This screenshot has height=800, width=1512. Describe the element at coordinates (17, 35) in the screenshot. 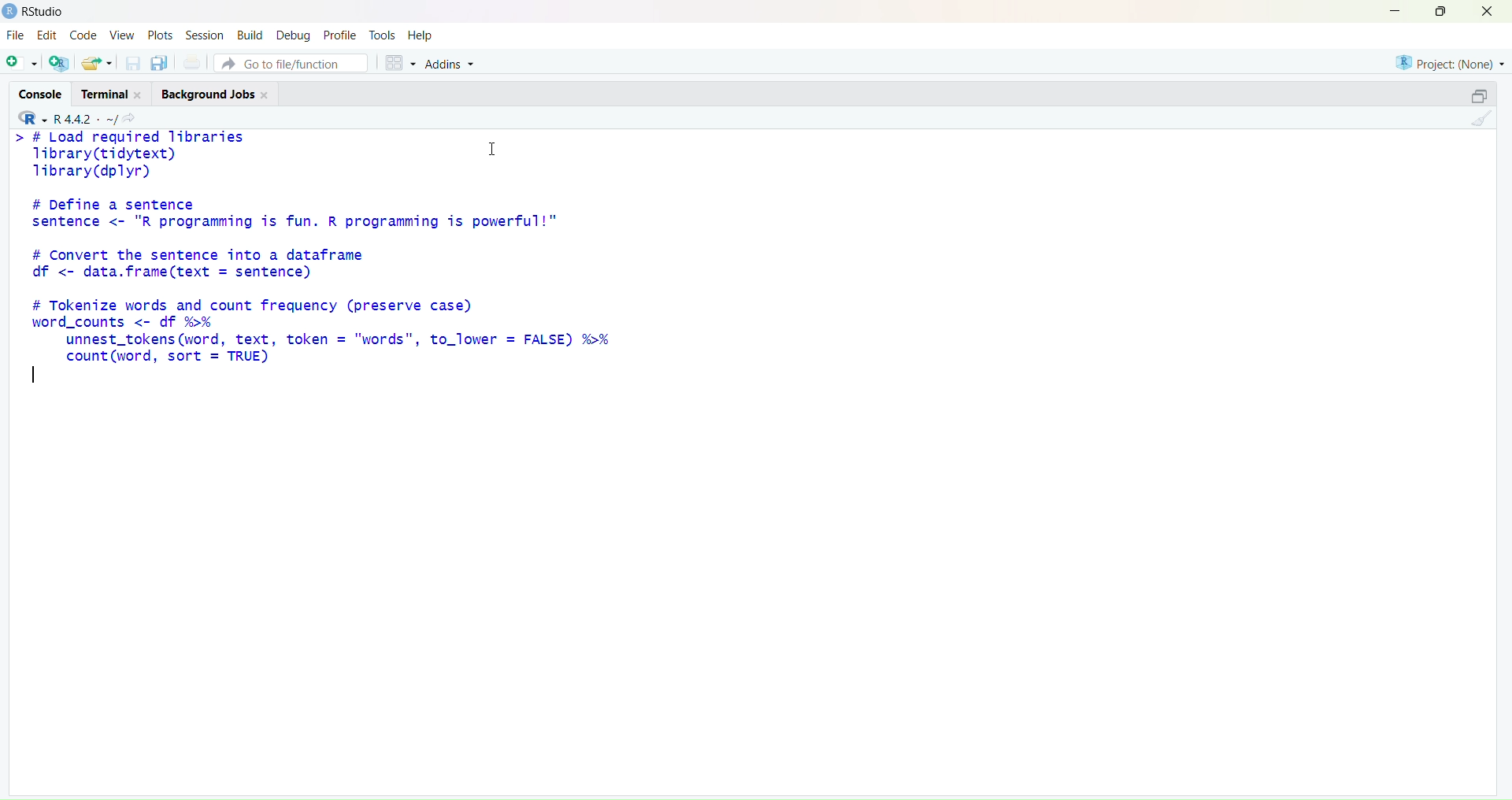

I see `file` at that location.